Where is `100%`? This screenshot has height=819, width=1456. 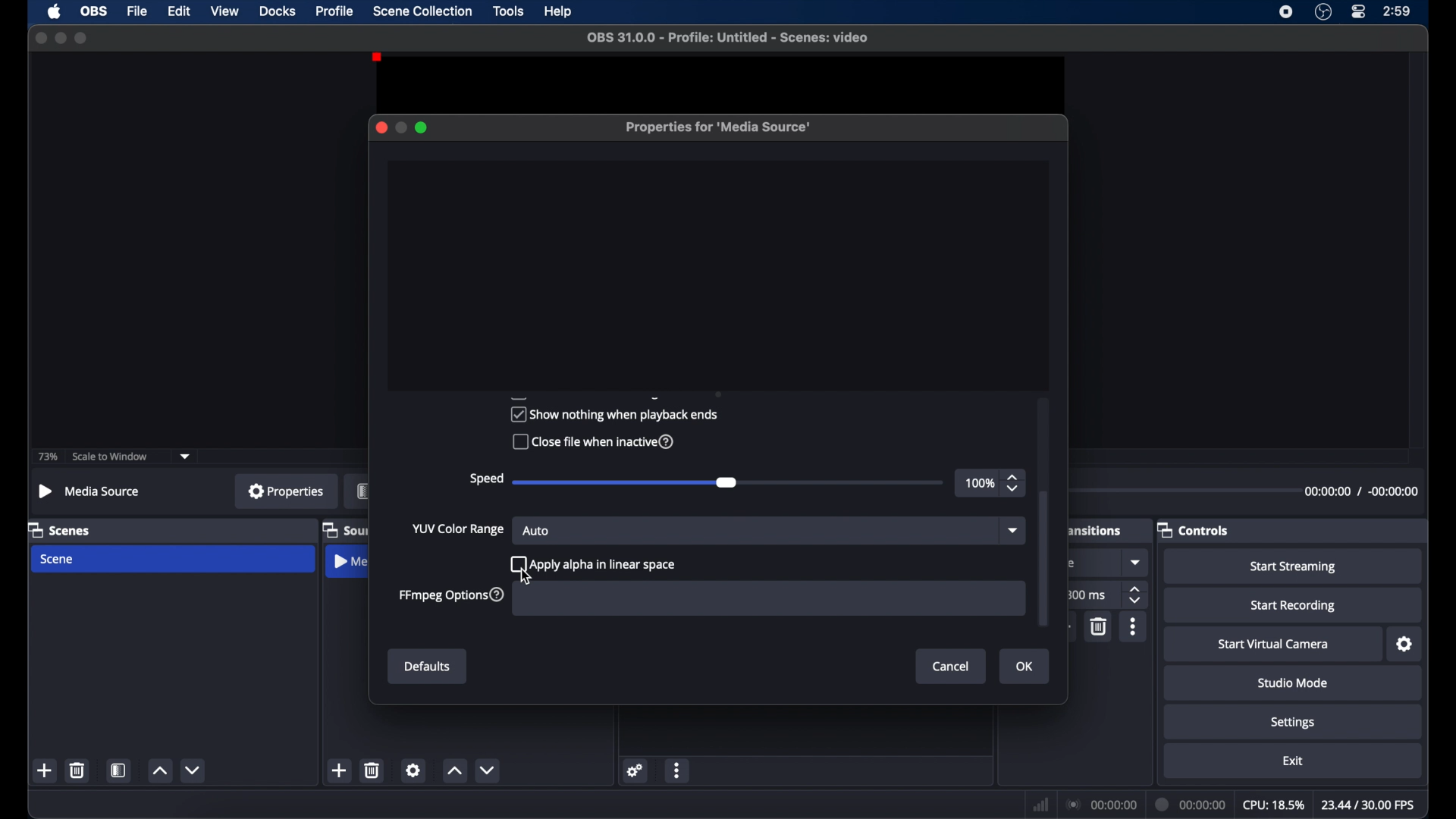
100% is located at coordinates (980, 483).